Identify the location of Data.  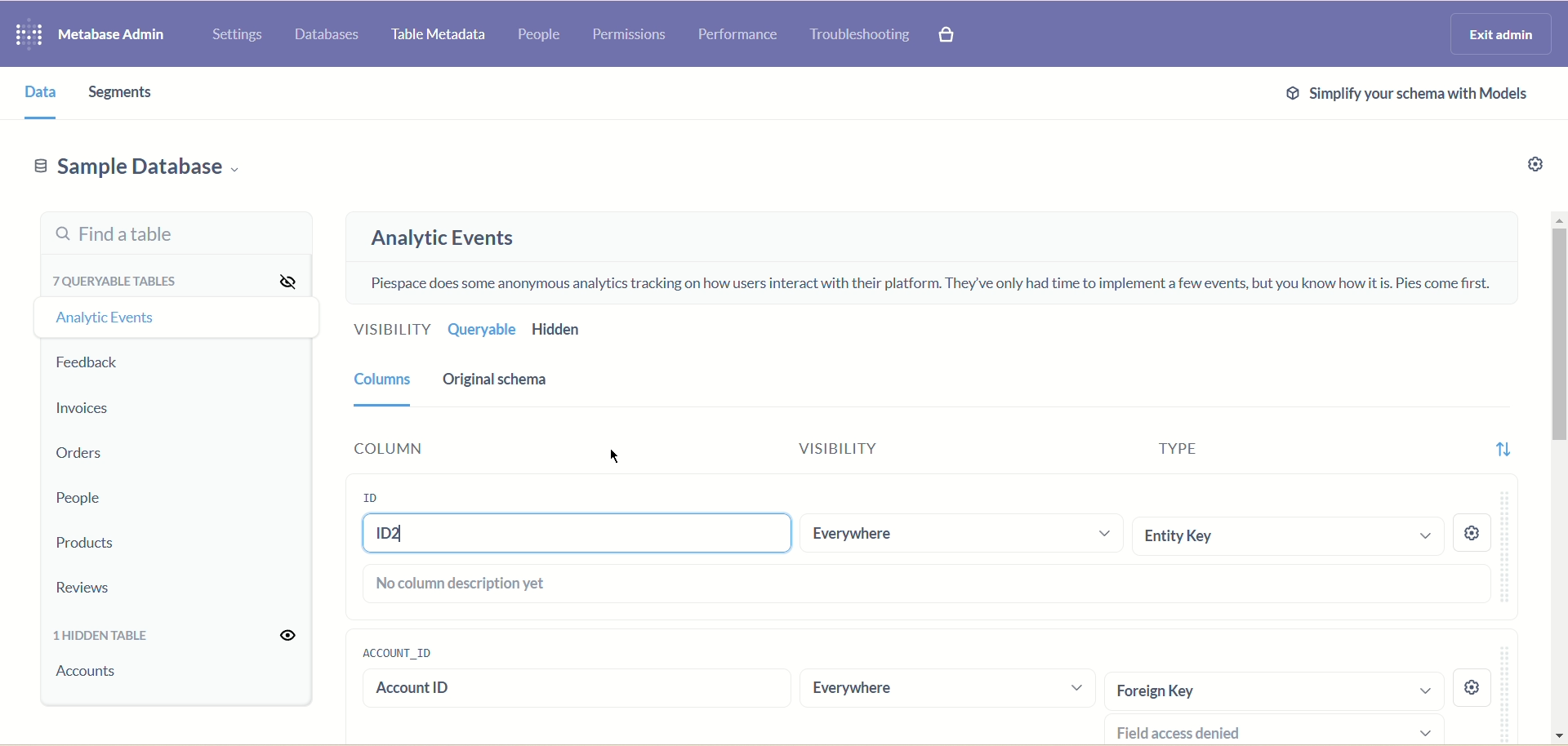
(36, 92).